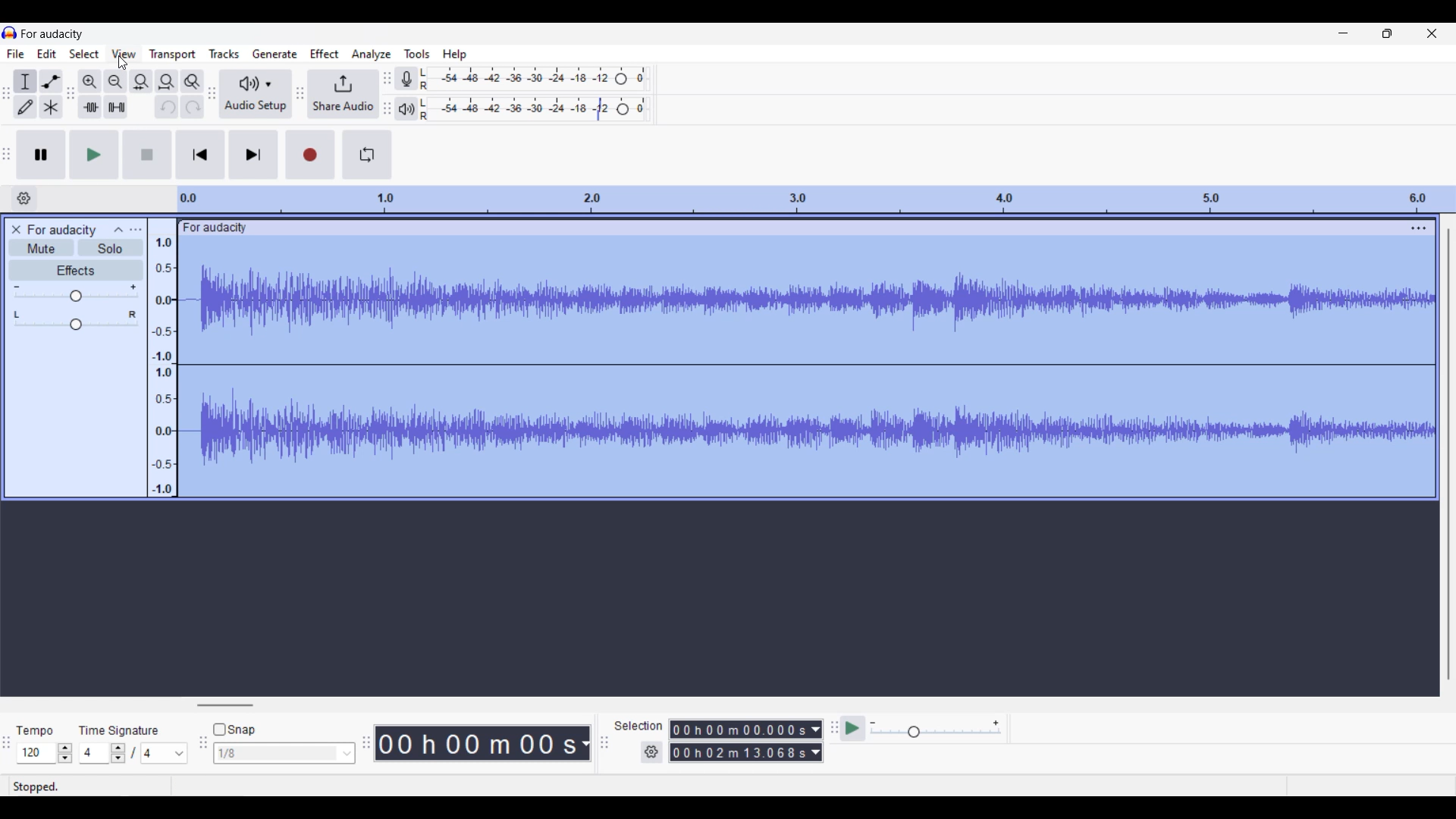  Describe the element at coordinates (324, 54) in the screenshot. I see `Effect menu` at that location.